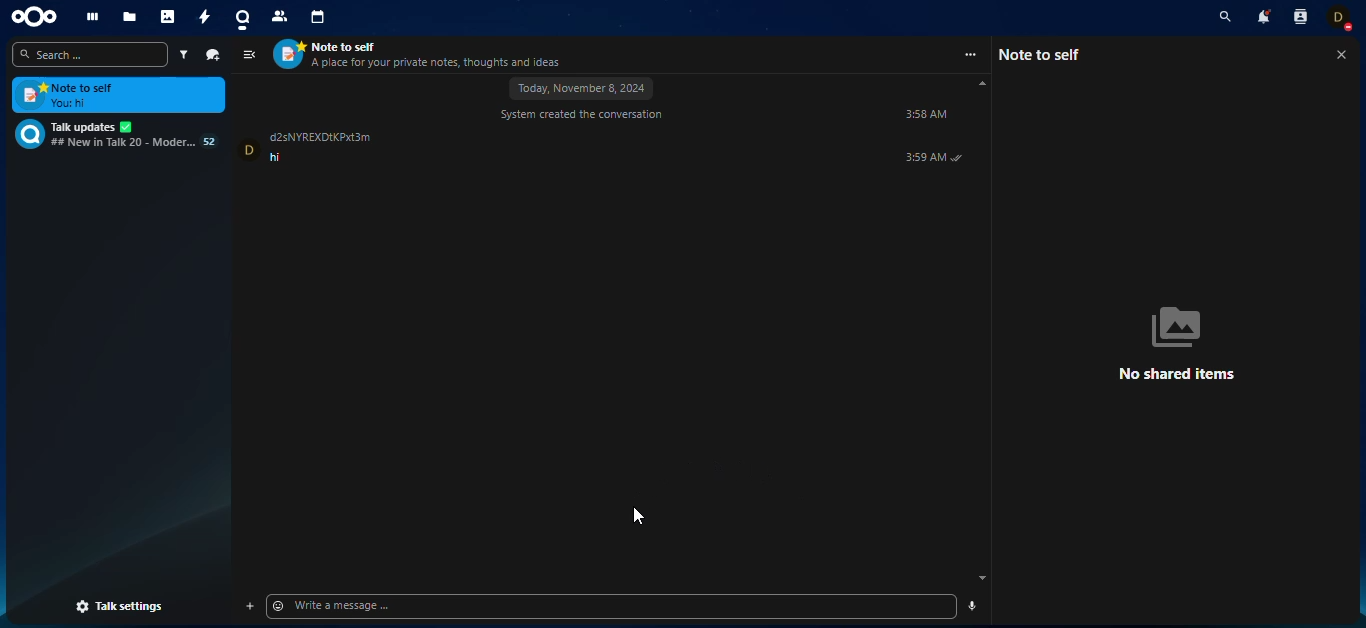 The image size is (1366, 628). What do you see at coordinates (214, 54) in the screenshot?
I see `new chat` at bounding box center [214, 54].